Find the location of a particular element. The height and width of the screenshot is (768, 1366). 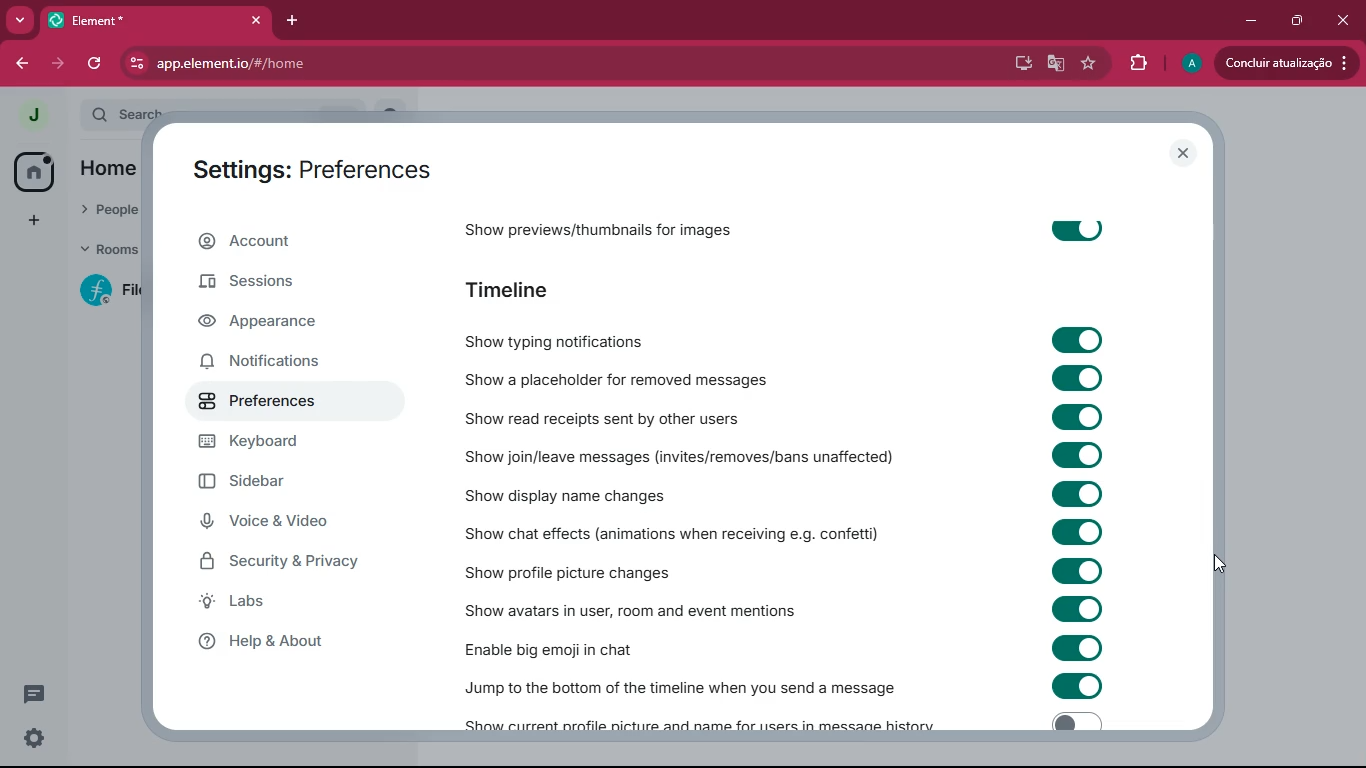

settings: preferences is located at coordinates (304, 166).